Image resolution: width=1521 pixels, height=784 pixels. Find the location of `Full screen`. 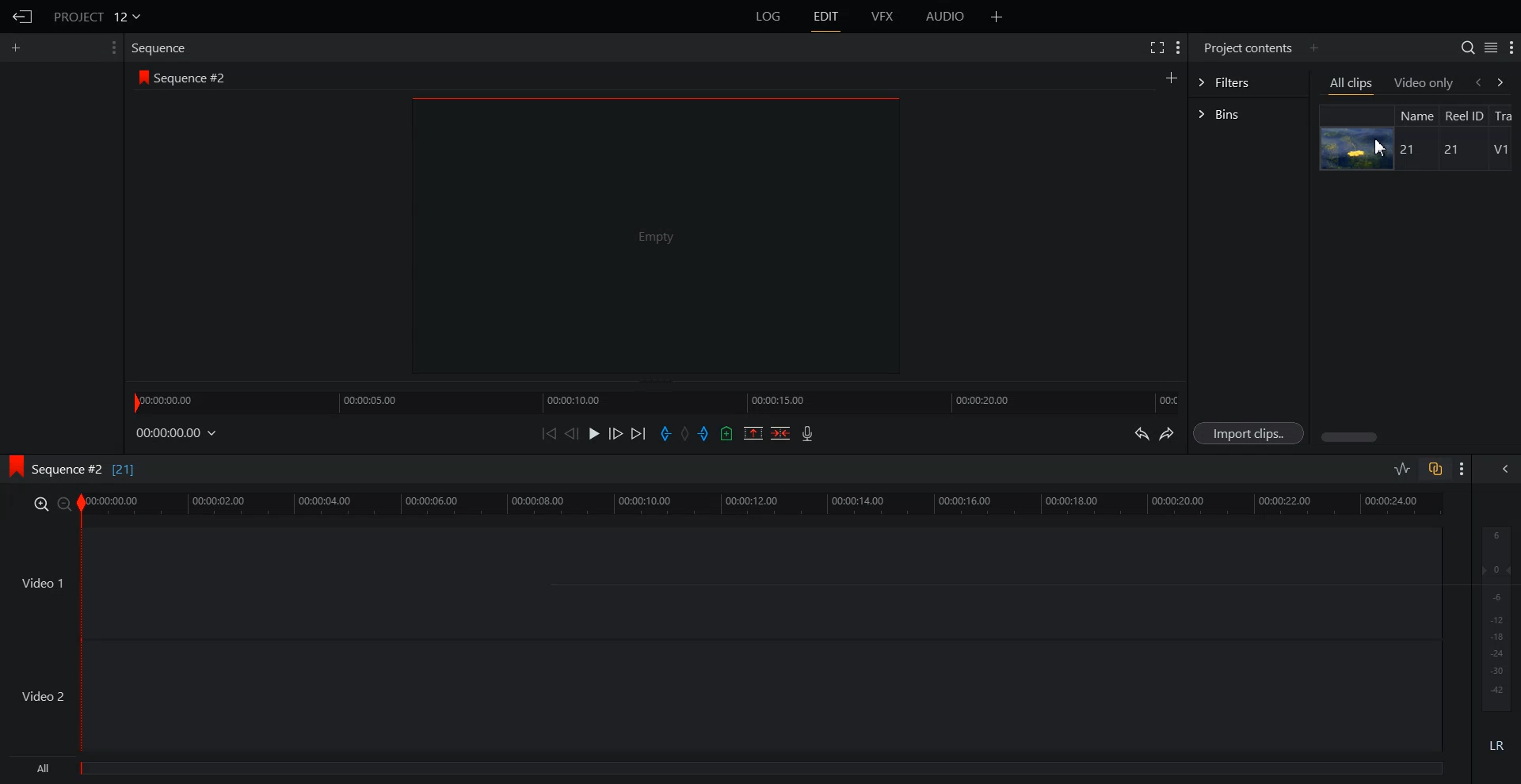

Full screen is located at coordinates (1156, 47).